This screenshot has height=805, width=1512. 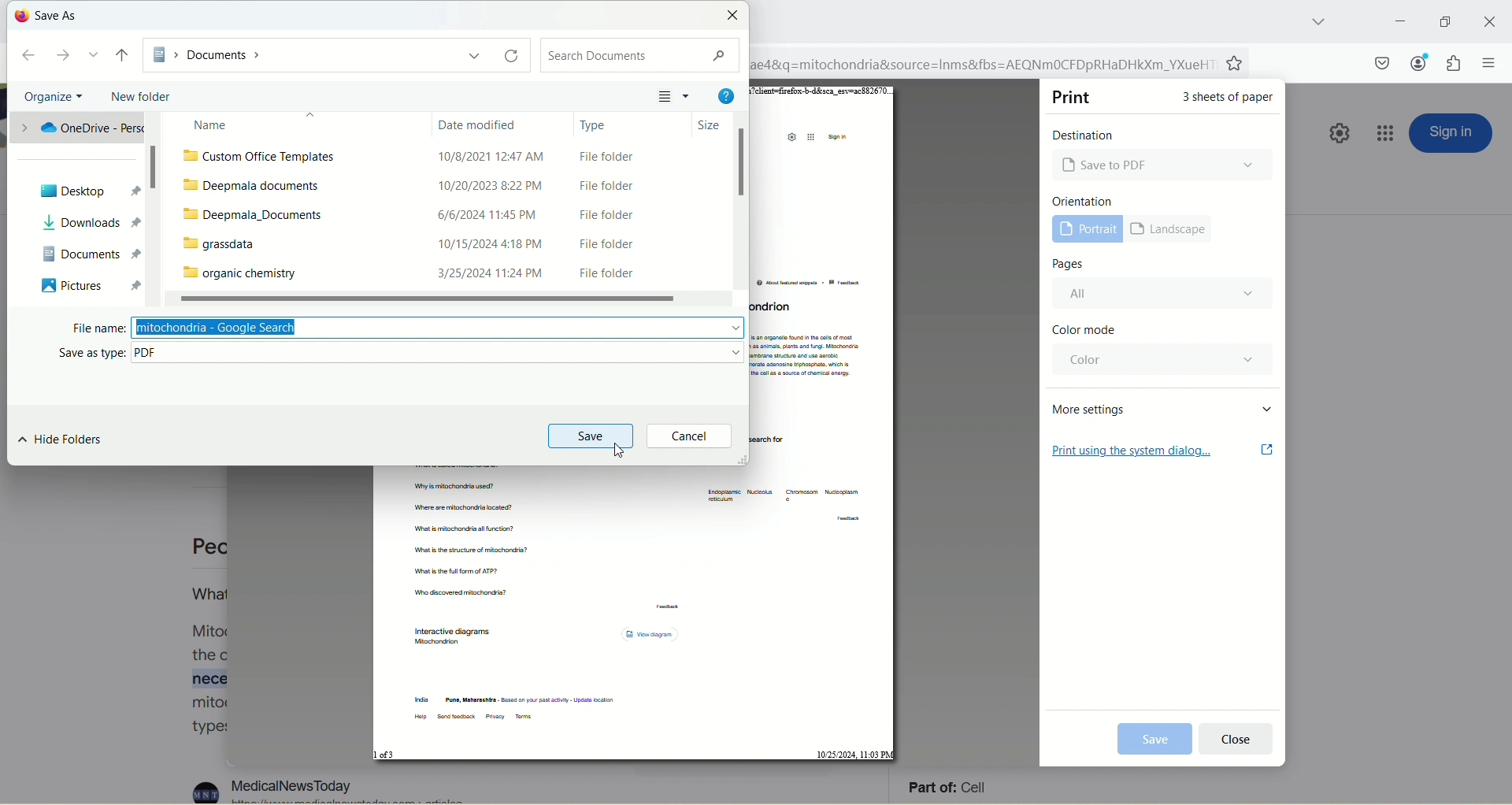 I want to click on logo, so click(x=21, y=17).